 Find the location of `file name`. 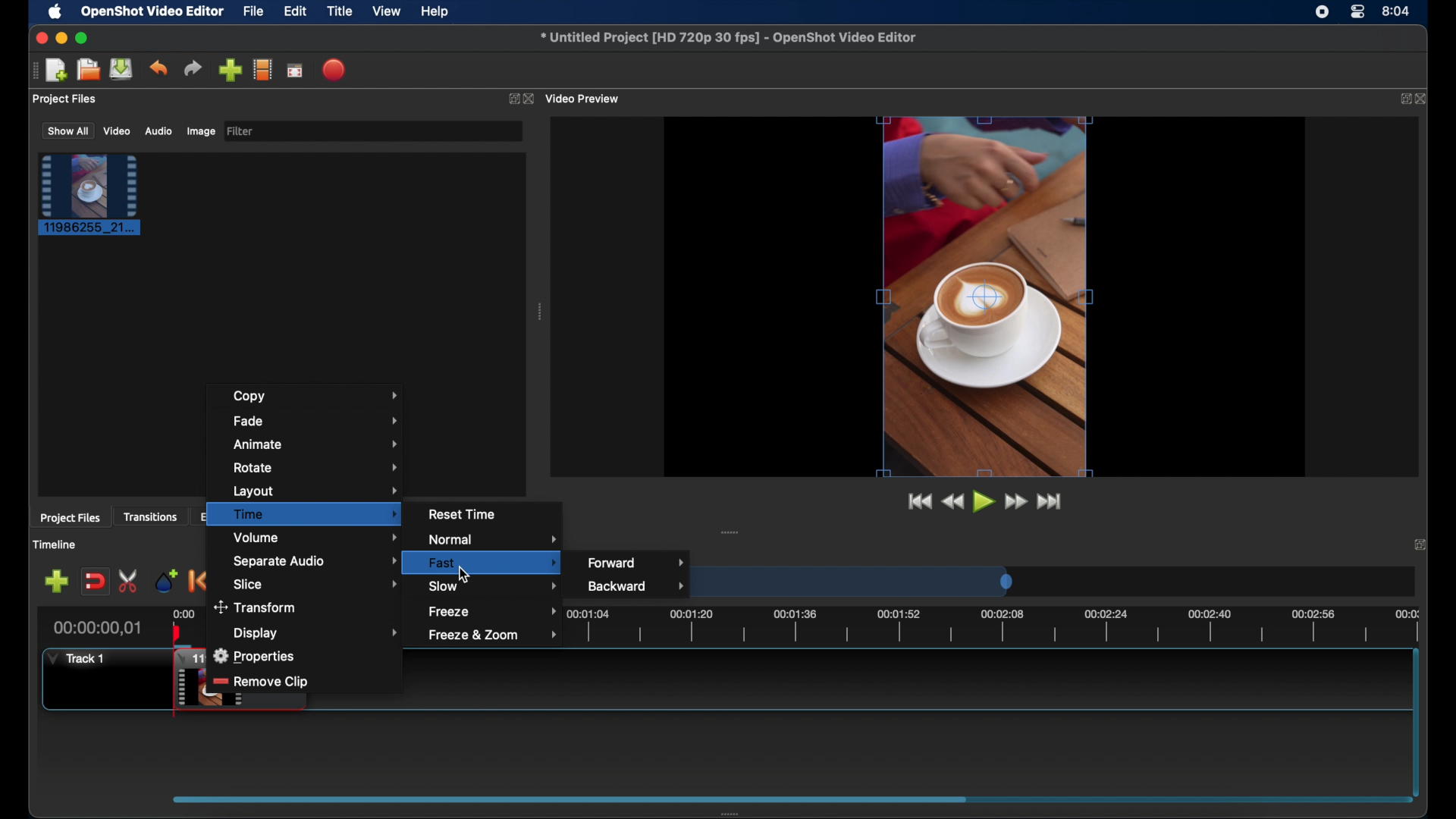

file name is located at coordinates (728, 36).